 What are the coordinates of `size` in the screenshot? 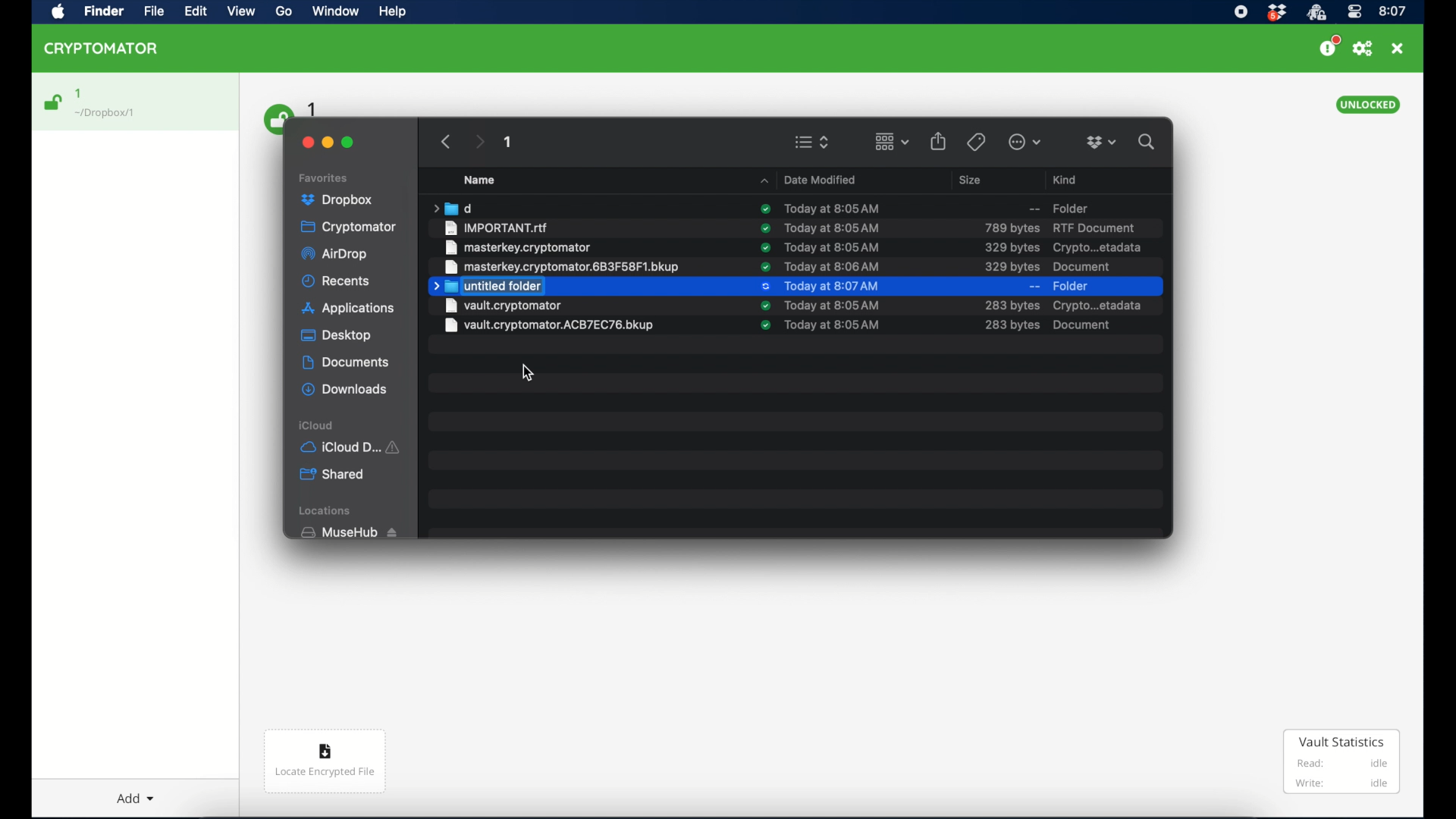 It's located at (1011, 227).